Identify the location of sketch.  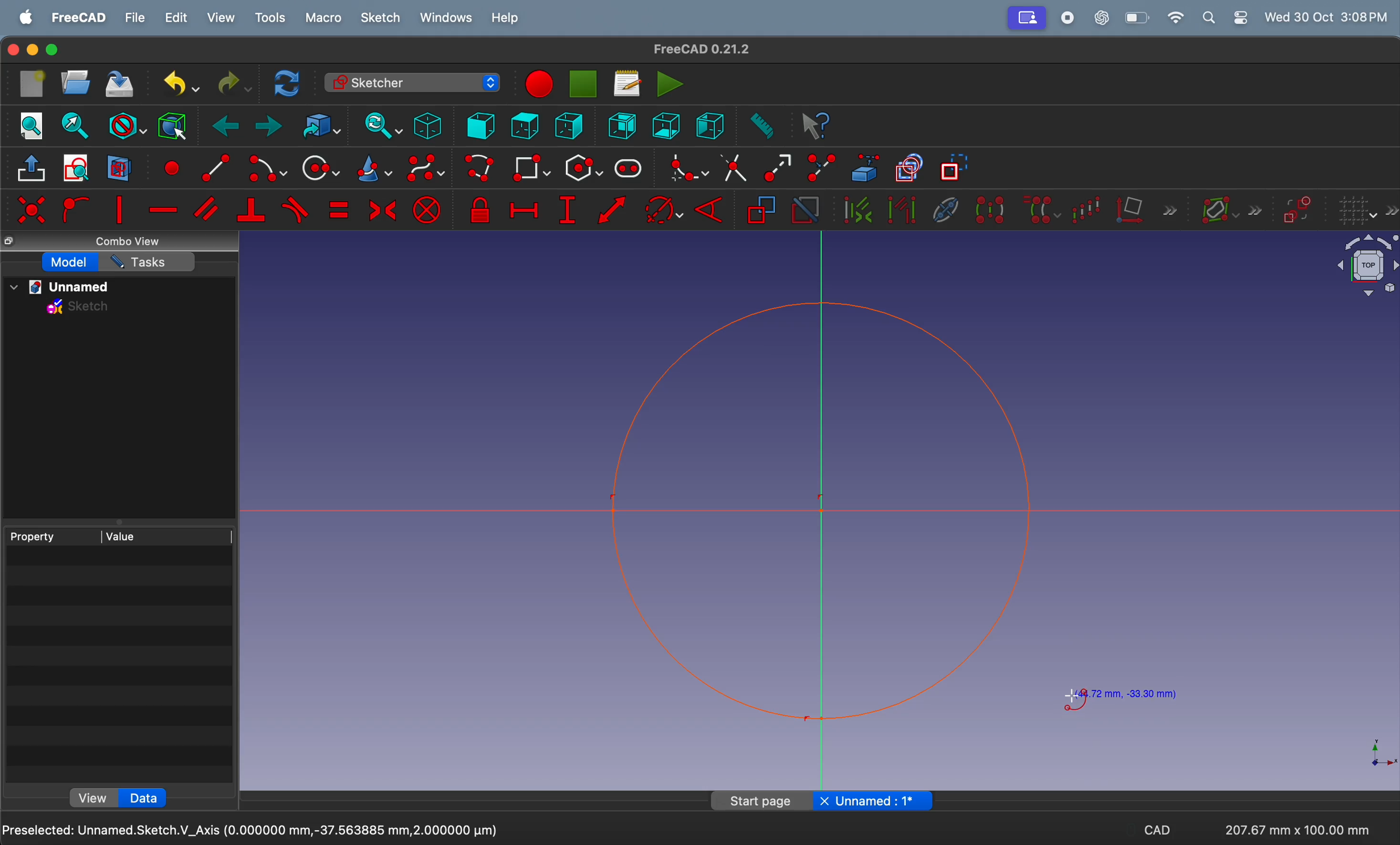
(381, 18).